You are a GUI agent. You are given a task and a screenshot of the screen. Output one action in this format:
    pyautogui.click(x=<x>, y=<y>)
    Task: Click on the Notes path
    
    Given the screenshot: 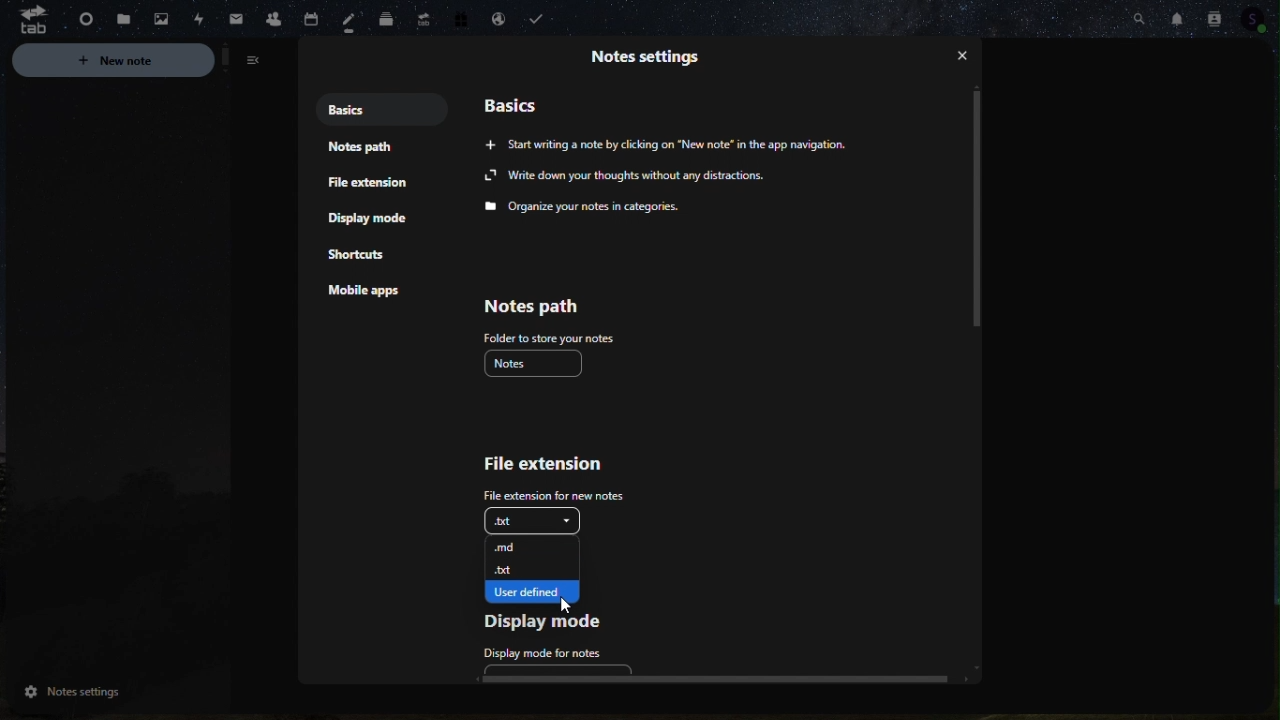 What is the action you would take?
    pyautogui.click(x=563, y=318)
    